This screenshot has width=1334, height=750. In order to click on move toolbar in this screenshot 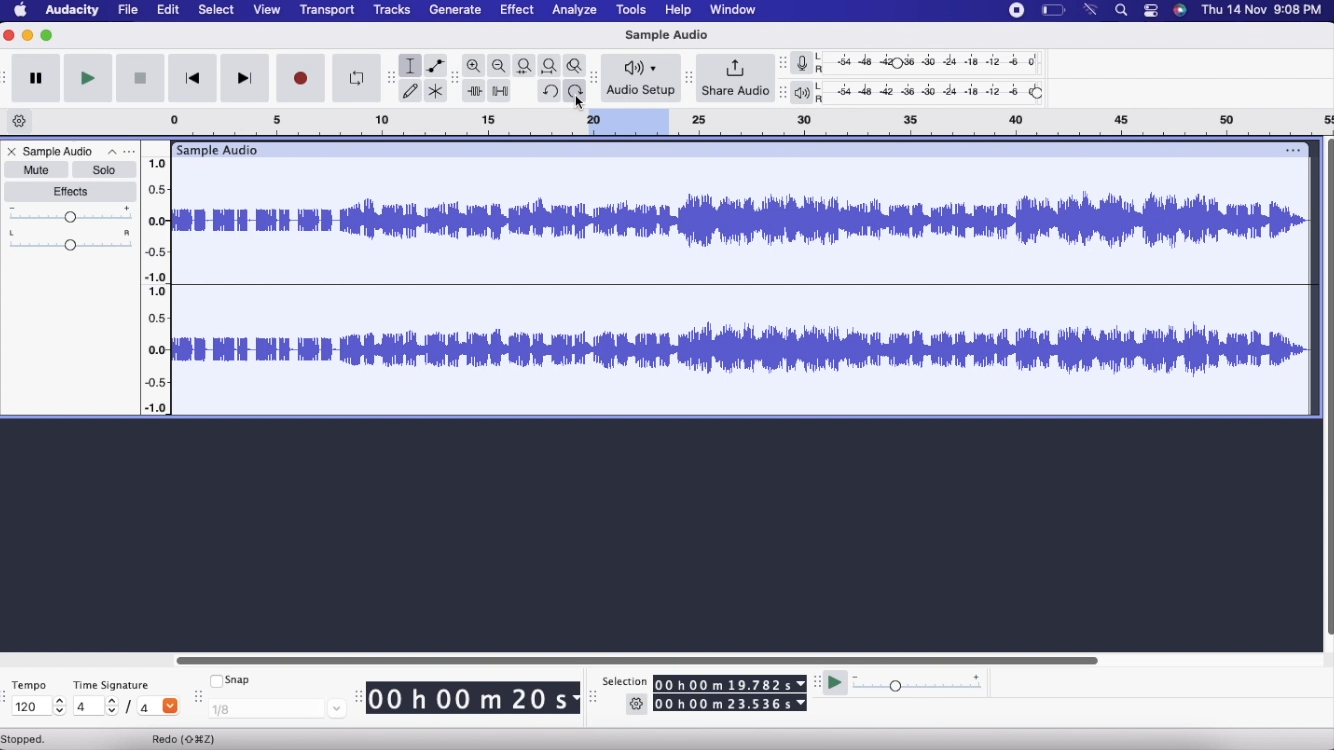, I will do `click(357, 695)`.